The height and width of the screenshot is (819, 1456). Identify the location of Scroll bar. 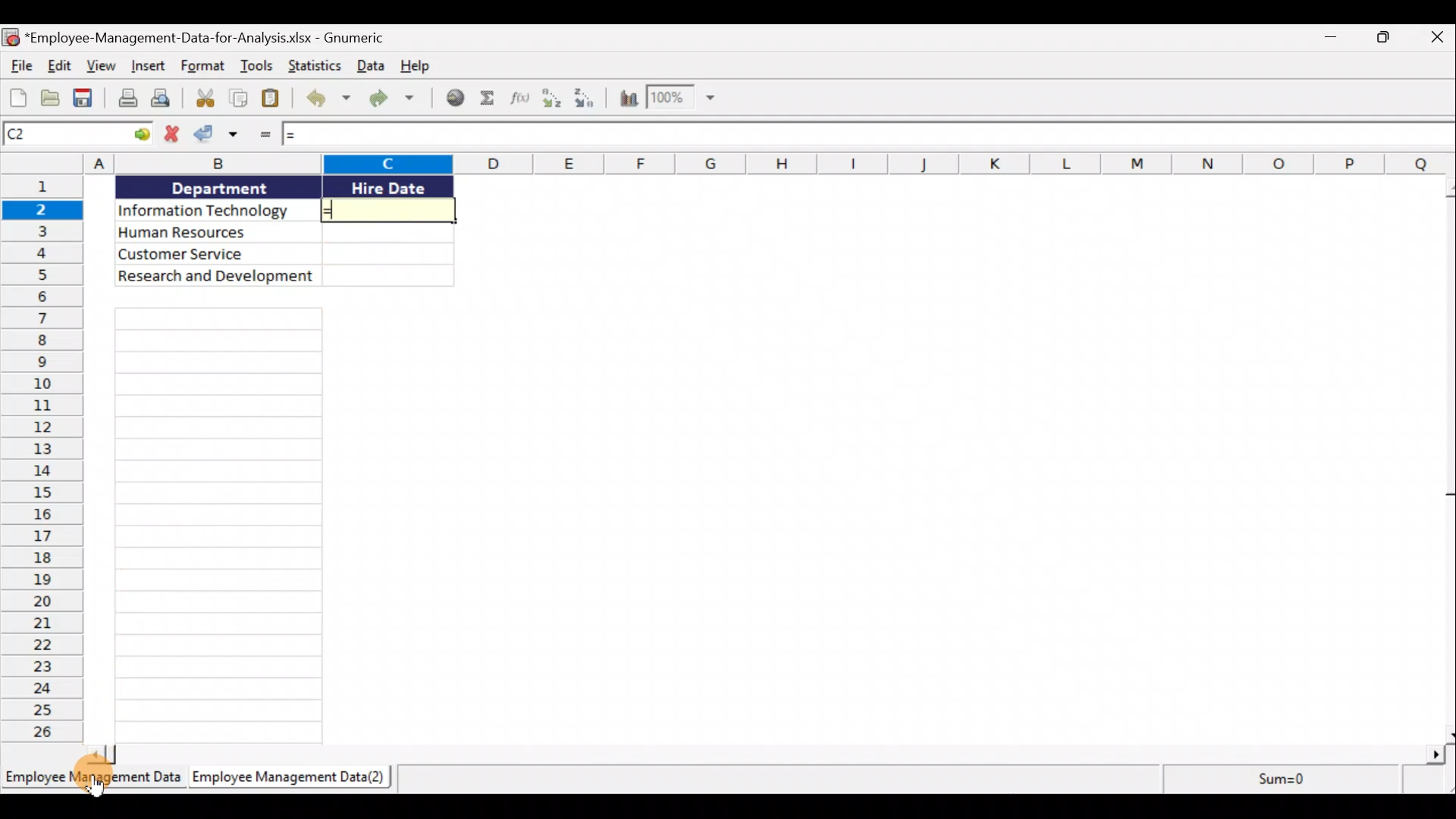
(763, 755).